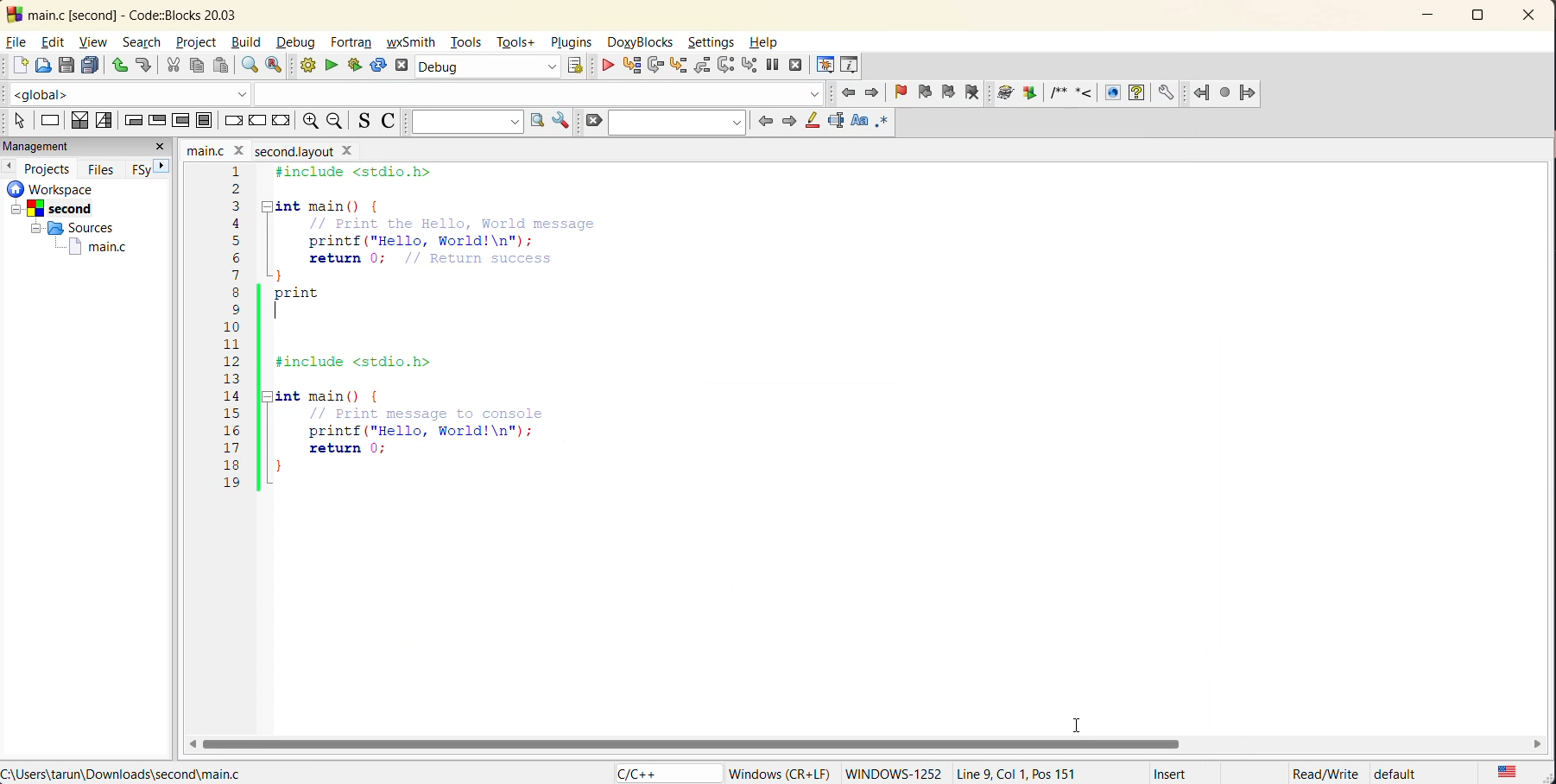 The height and width of the screenshot is (784, 1556). I want to click on zoom out, so click(310, 122).